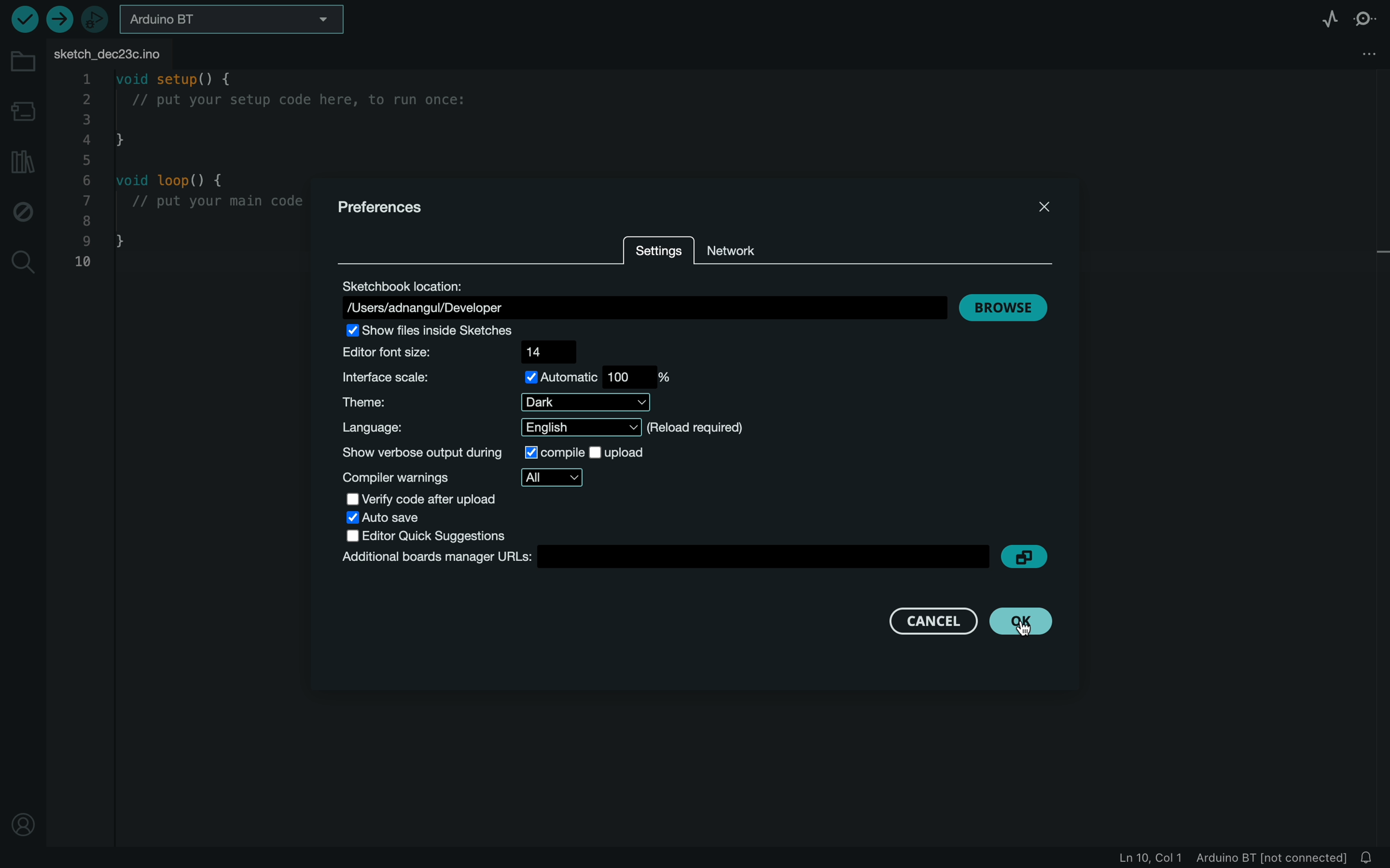  What do you see at coordinates (238, 21) in the screenshot?
I see `board selecter` at bounding box center [238, 21].